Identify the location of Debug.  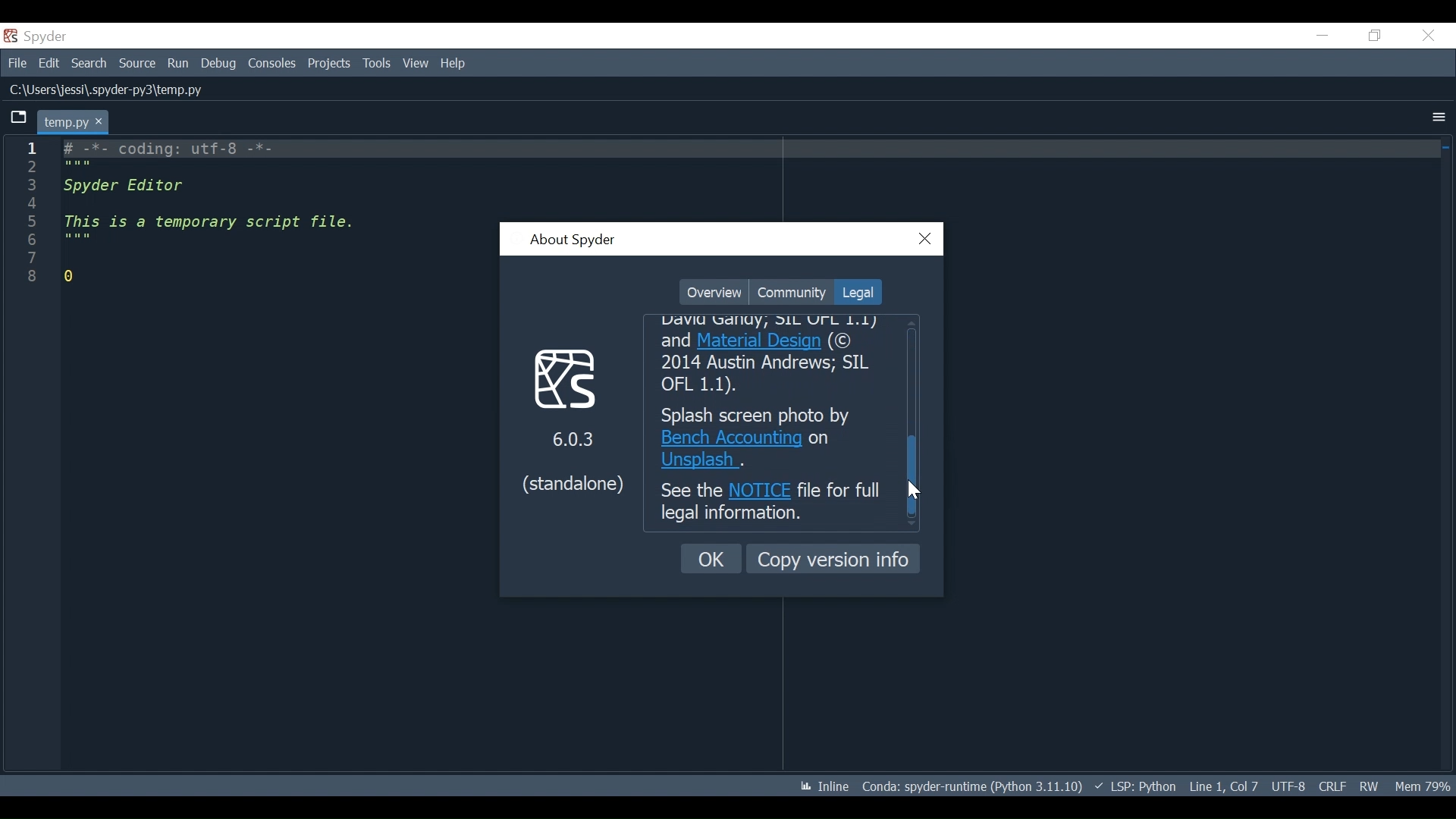
(220, 64).